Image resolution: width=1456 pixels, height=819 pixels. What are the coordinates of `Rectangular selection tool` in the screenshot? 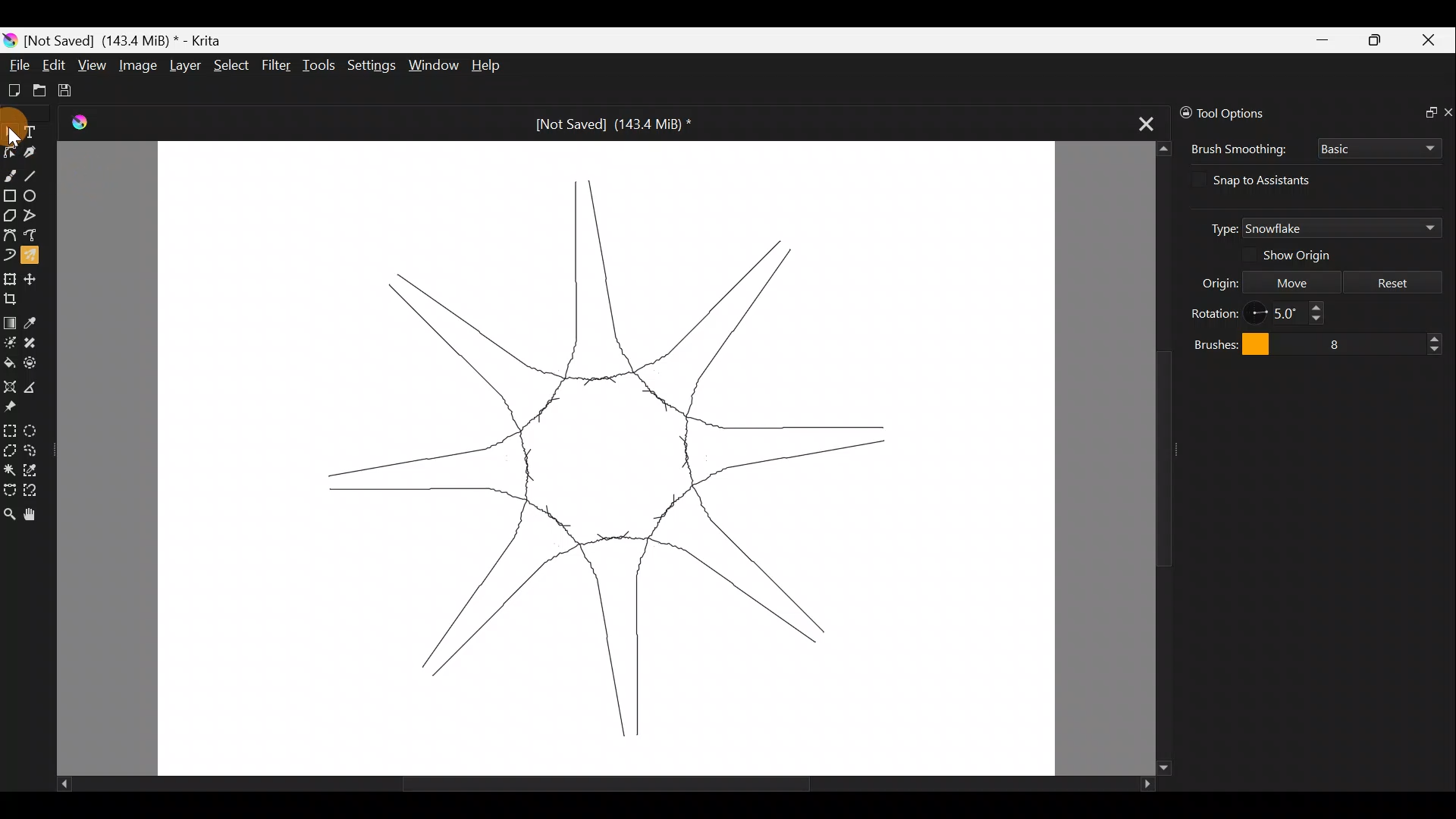 It's located at (9, 428).